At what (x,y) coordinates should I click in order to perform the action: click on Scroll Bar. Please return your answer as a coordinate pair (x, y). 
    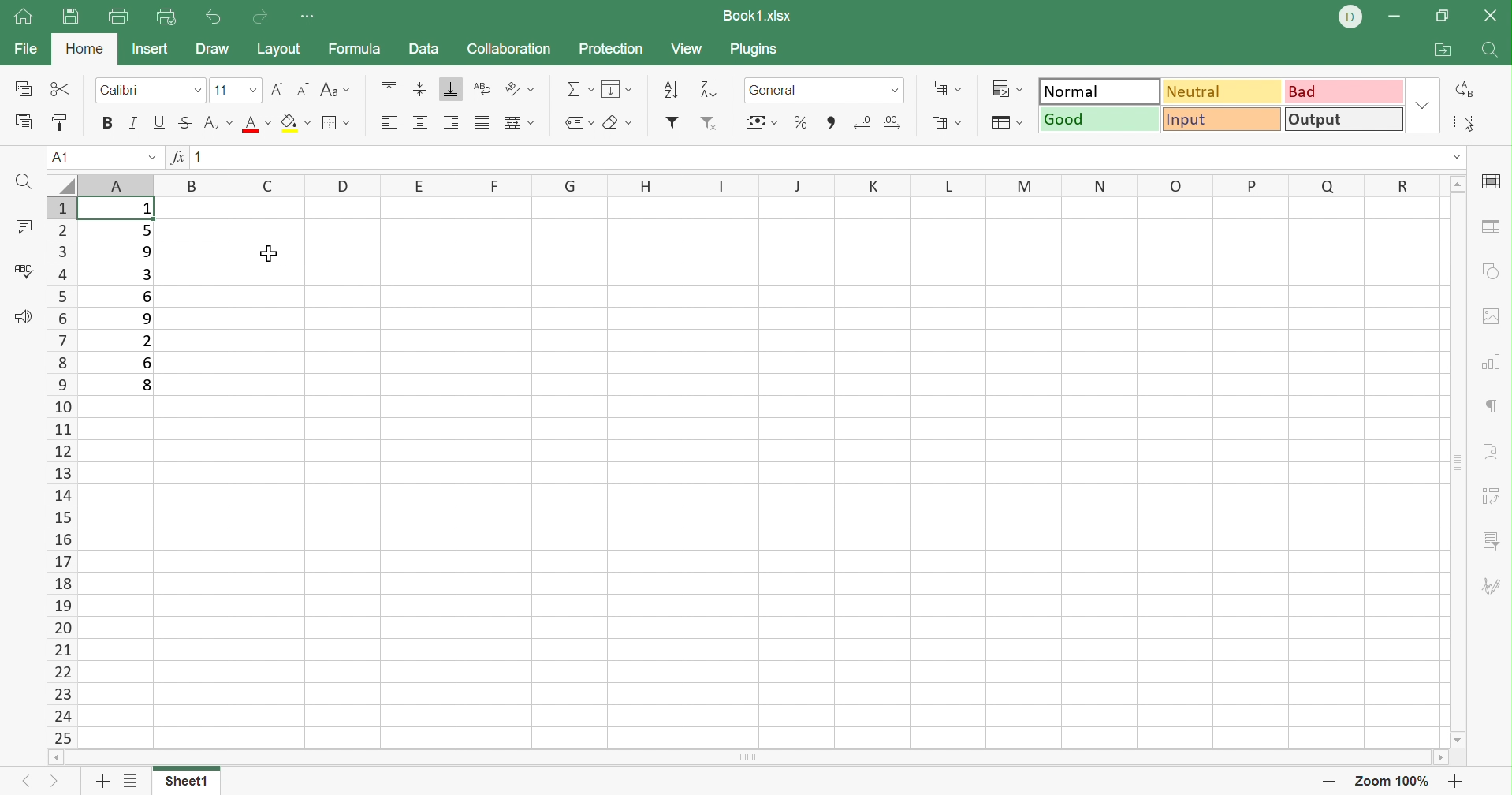
    Looking at the image, I should click on (744, 758).